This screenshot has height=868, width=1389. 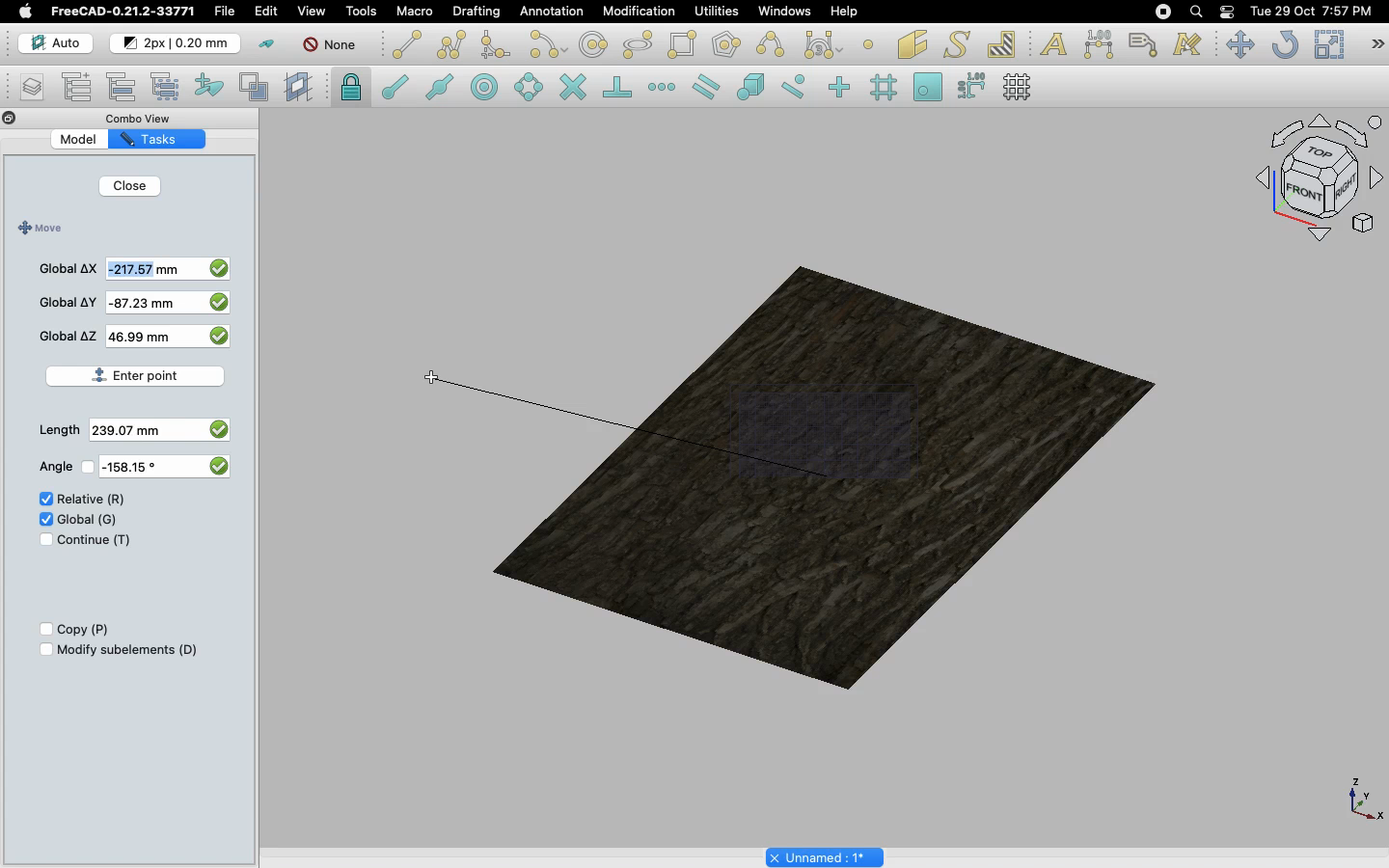 What do you see at coordinates (717, 12) in the screenshot?
I see `Utilities` at bounding box center [717, 12].